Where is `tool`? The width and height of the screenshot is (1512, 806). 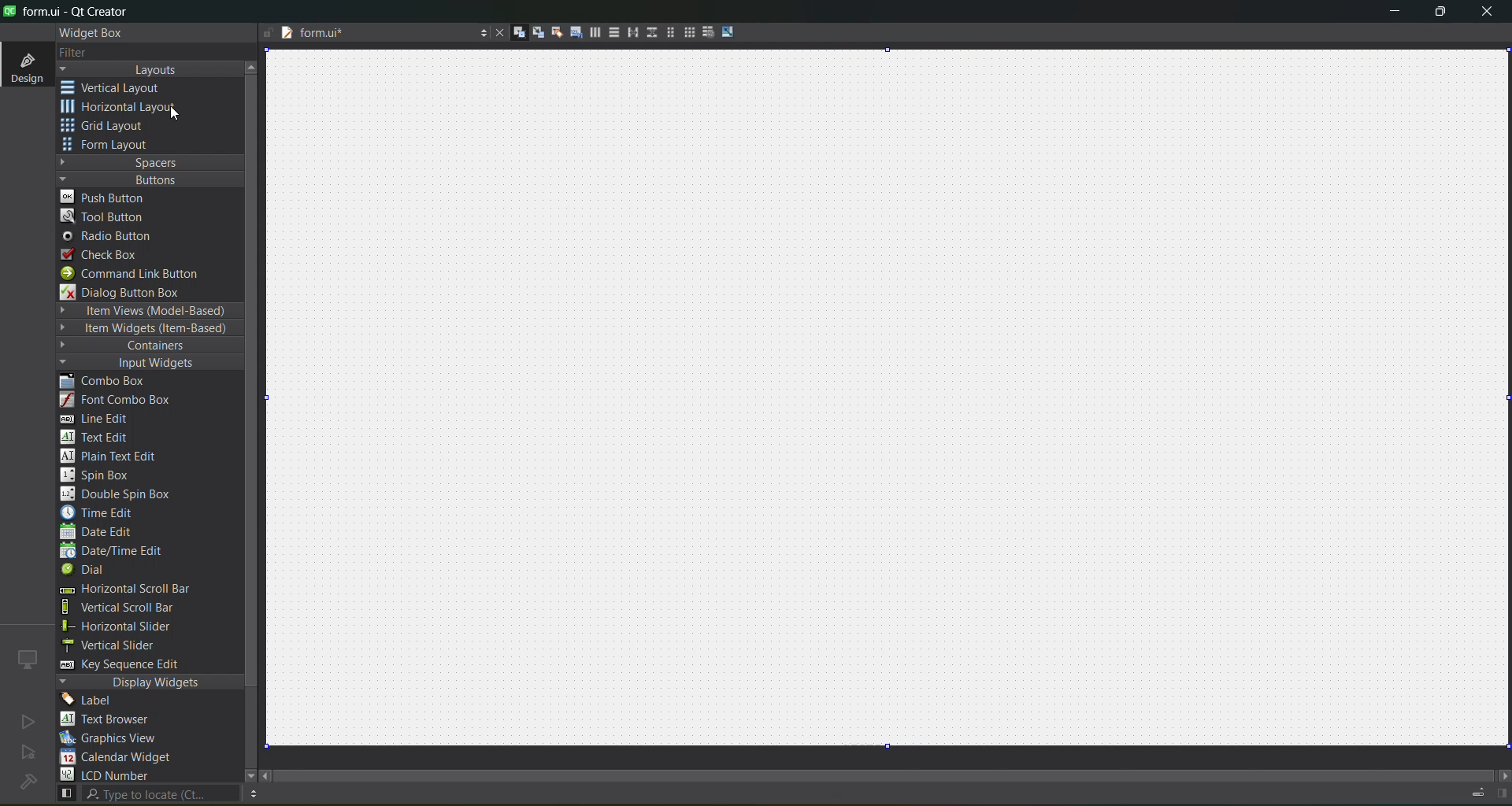
tool is located at coordinates (106, 216).